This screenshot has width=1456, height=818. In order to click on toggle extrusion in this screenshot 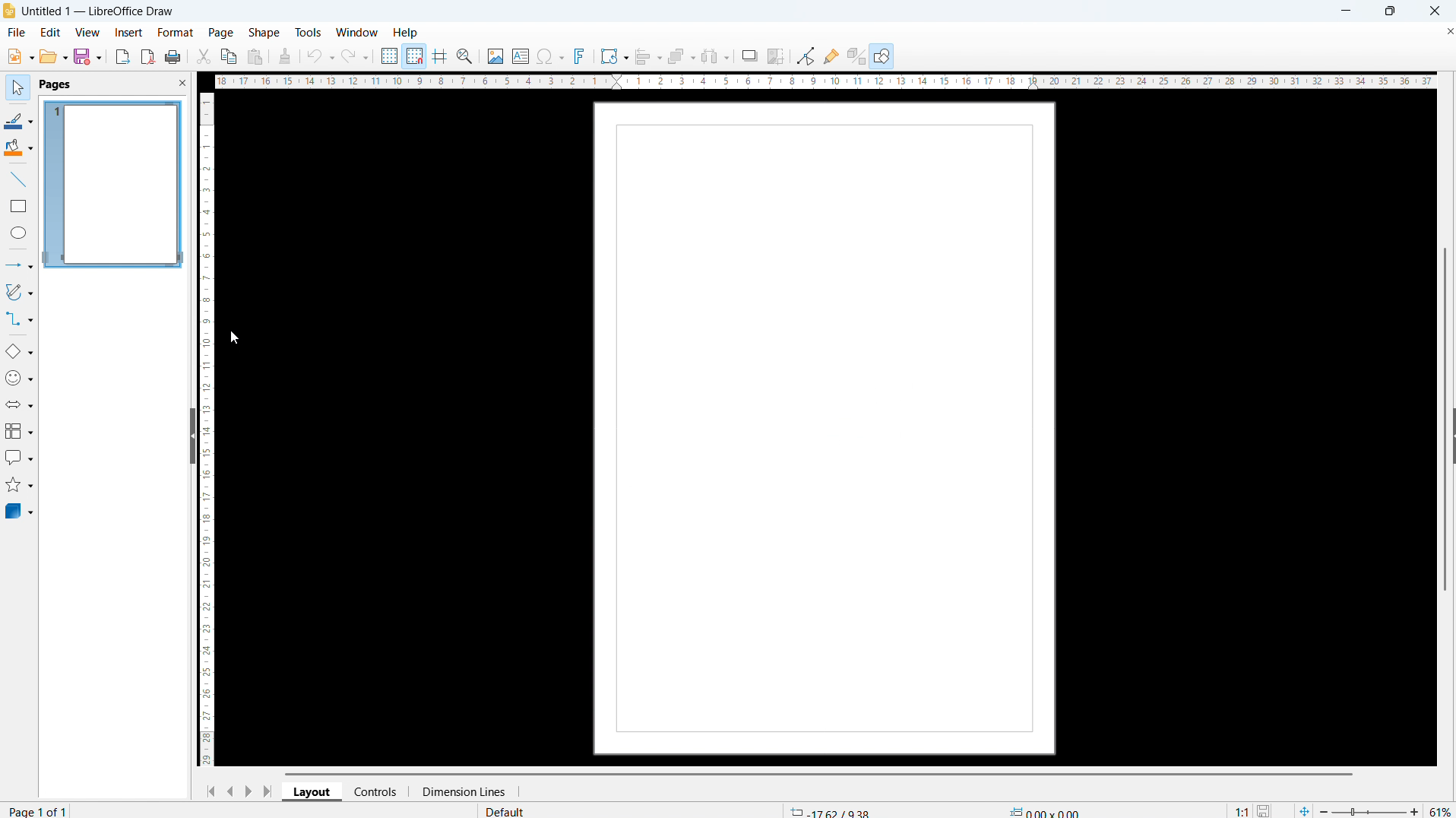, I will do `click(856, 55)`.